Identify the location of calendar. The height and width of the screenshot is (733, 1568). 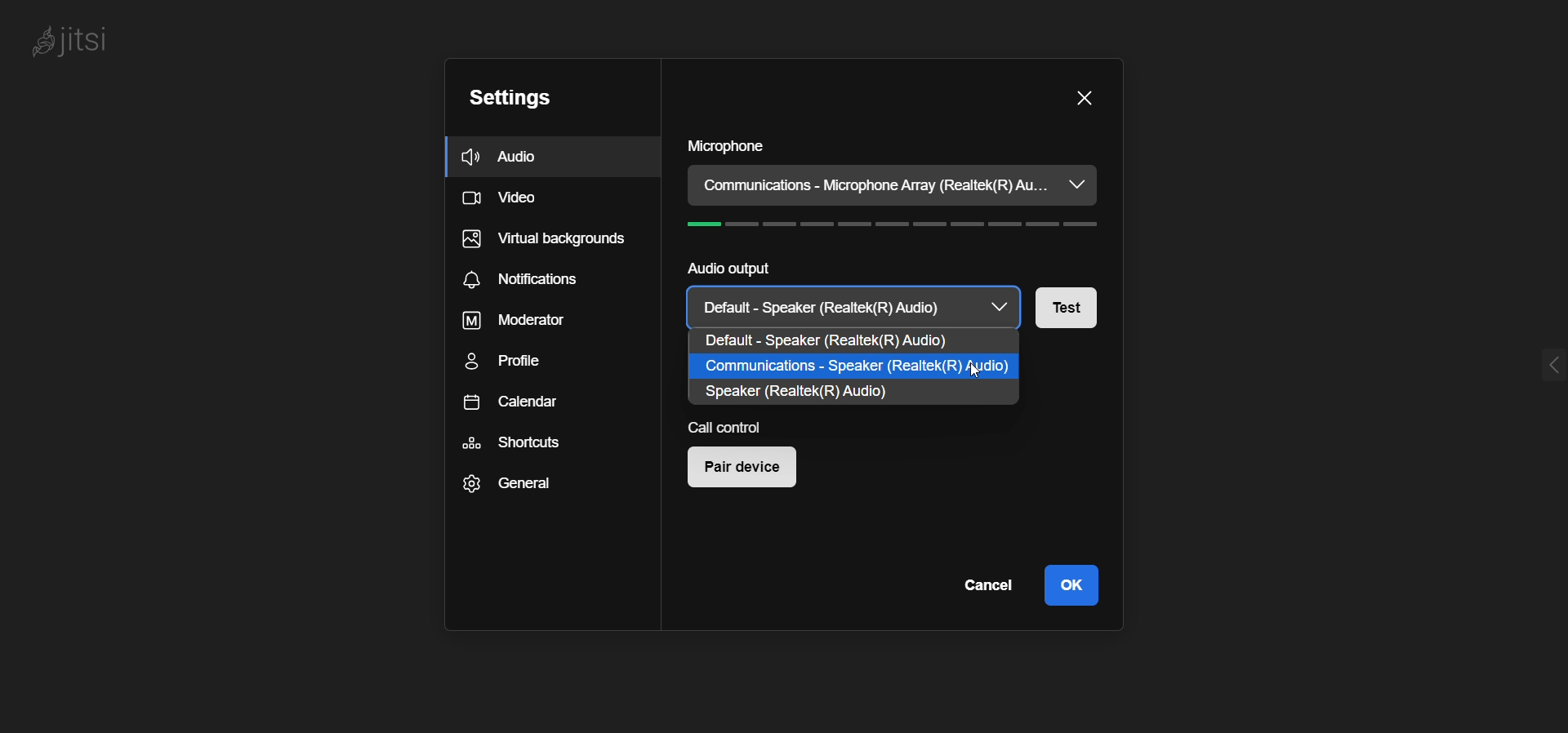
(514, 405).